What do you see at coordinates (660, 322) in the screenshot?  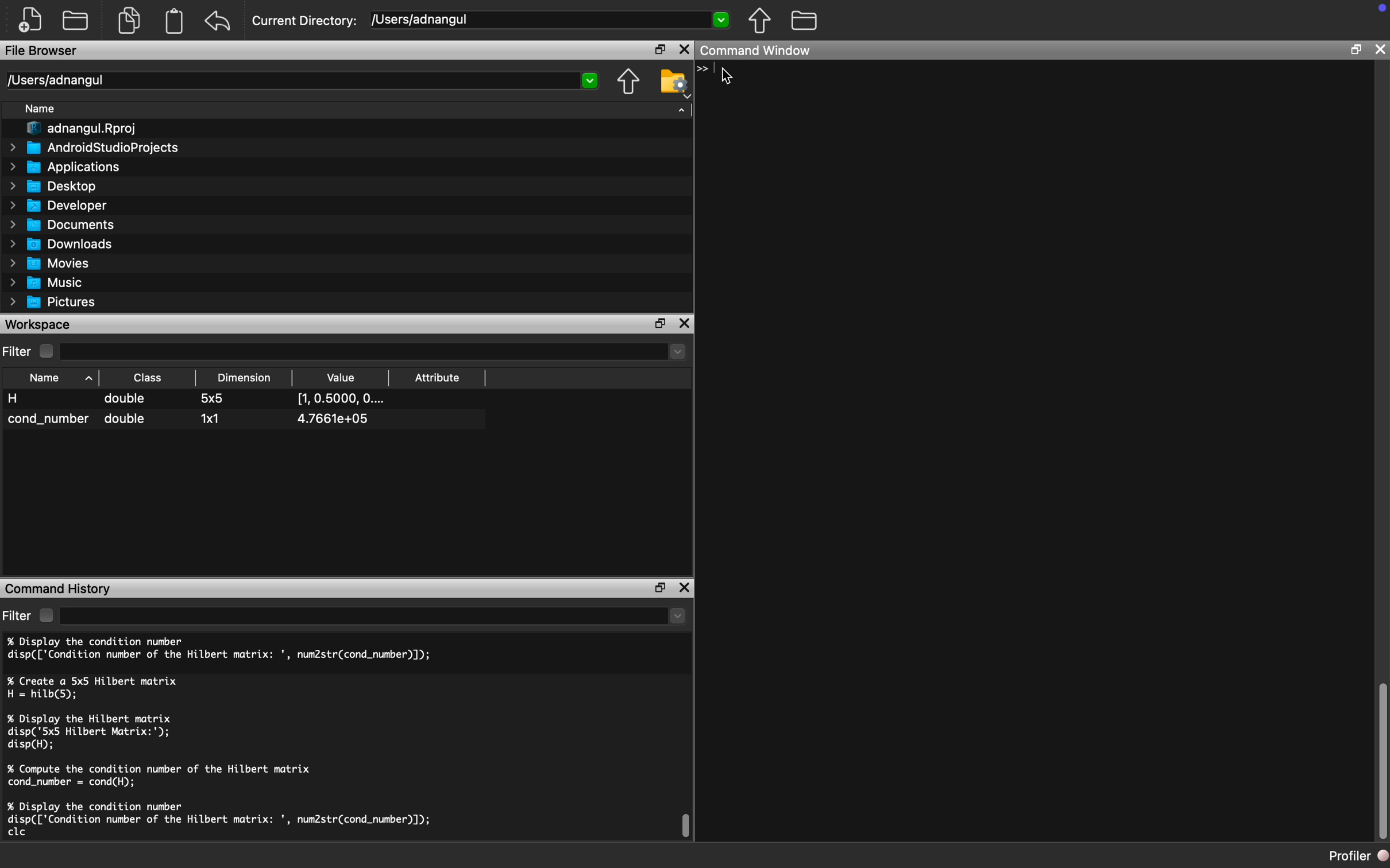 I see `Restore Down` at bounding box center [660, 322].